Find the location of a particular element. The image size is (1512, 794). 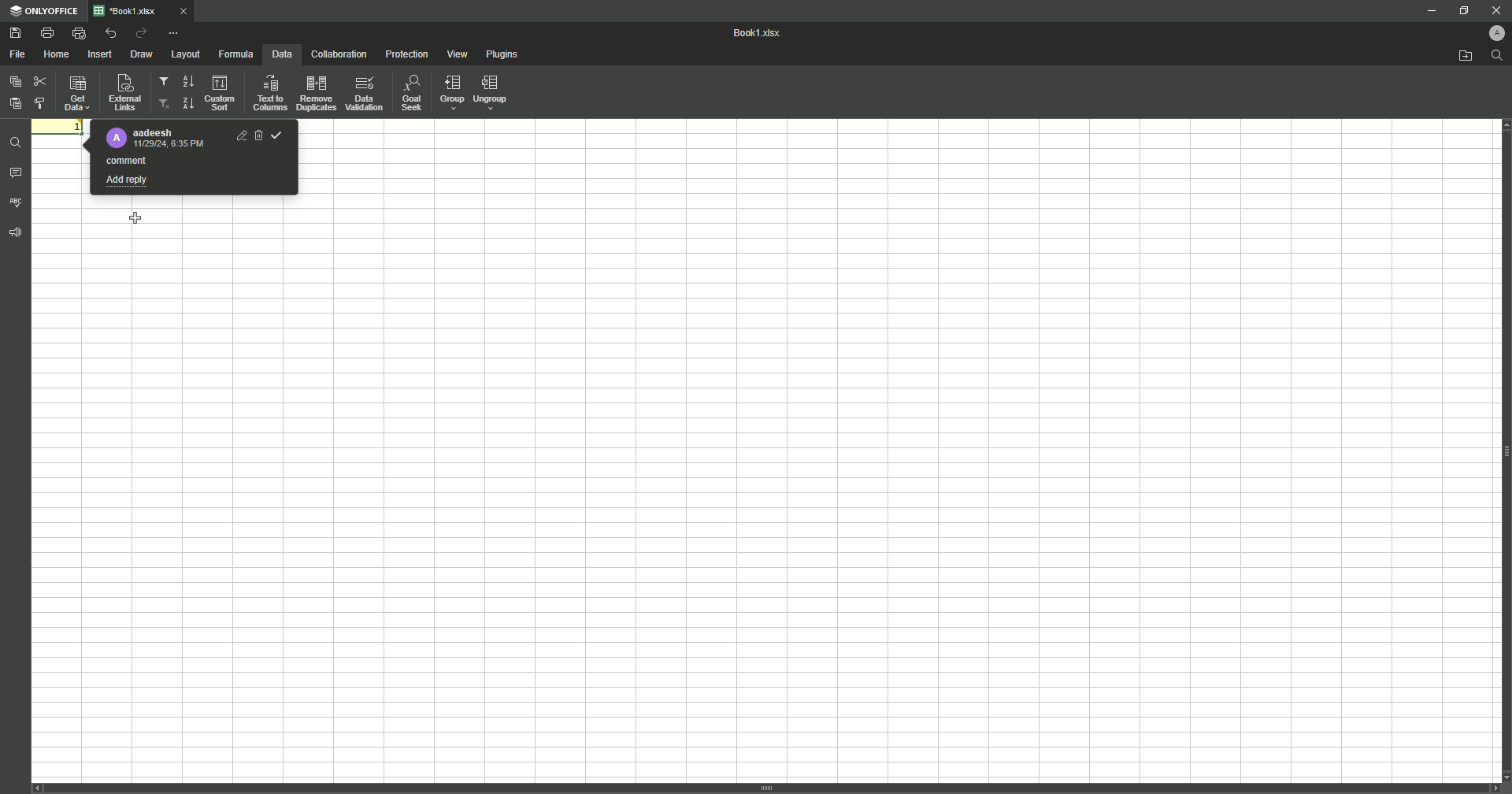

Home is located at coordinates (58, 54).